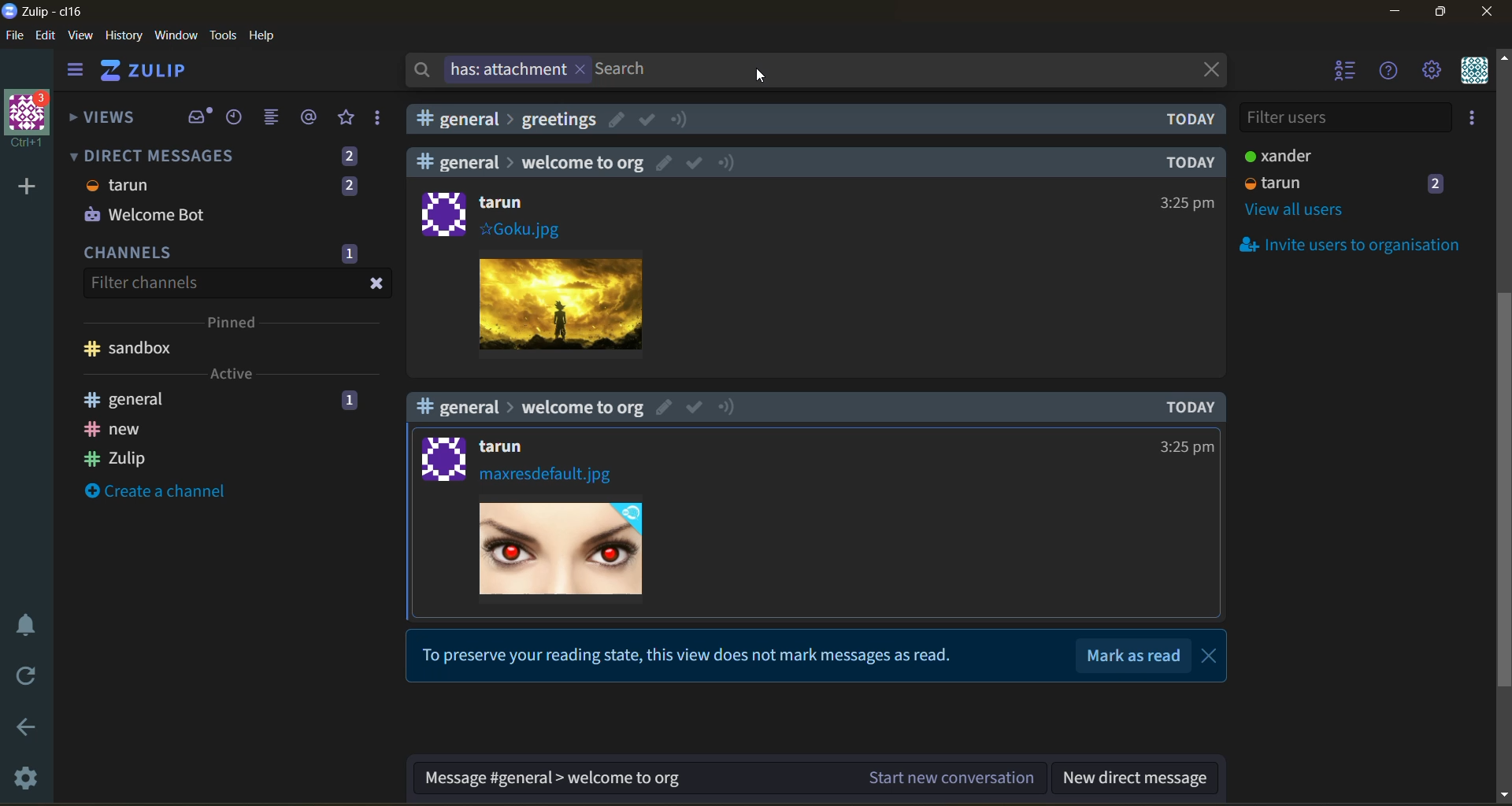 The width and height of the screenshot is (1512, 806). What do you see at coordinates (130, 399) in the screenshot?
I see `# general` at bounding box center [130, 399].